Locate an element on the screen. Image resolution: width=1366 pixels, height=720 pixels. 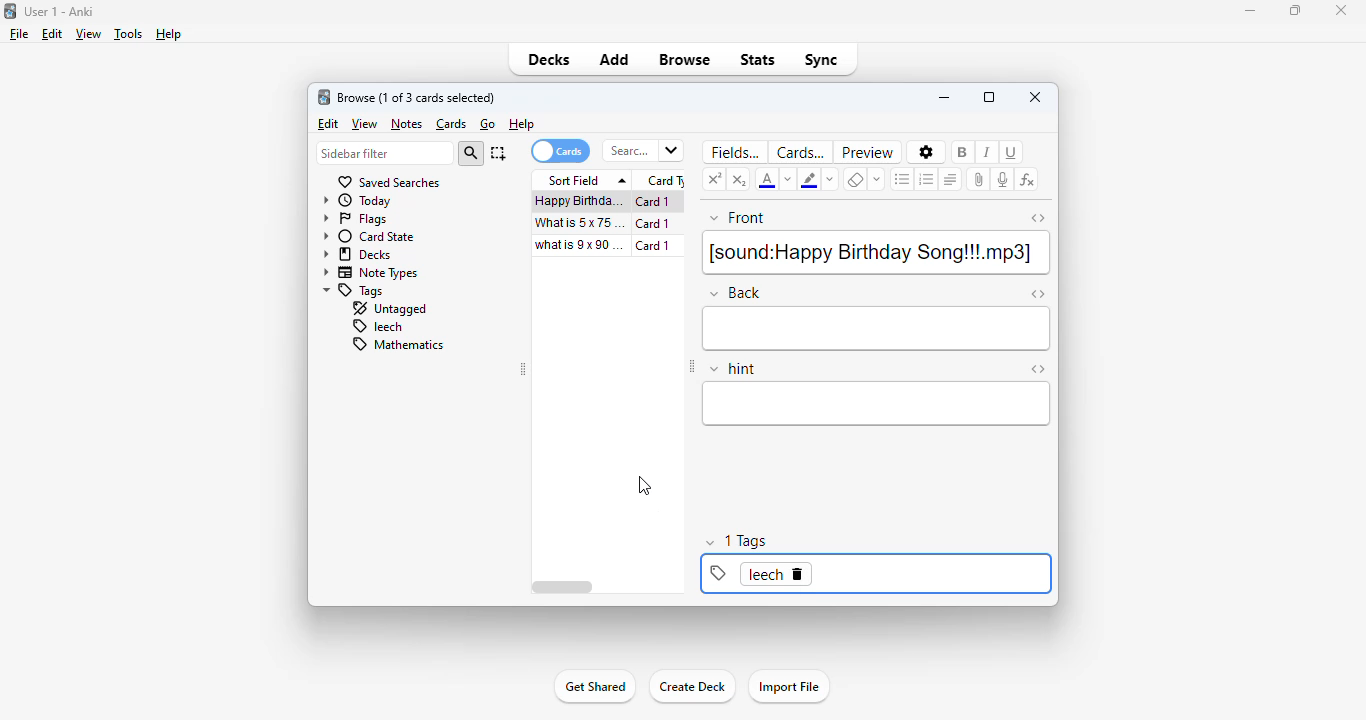
fields is located at coordinates (732, 152).